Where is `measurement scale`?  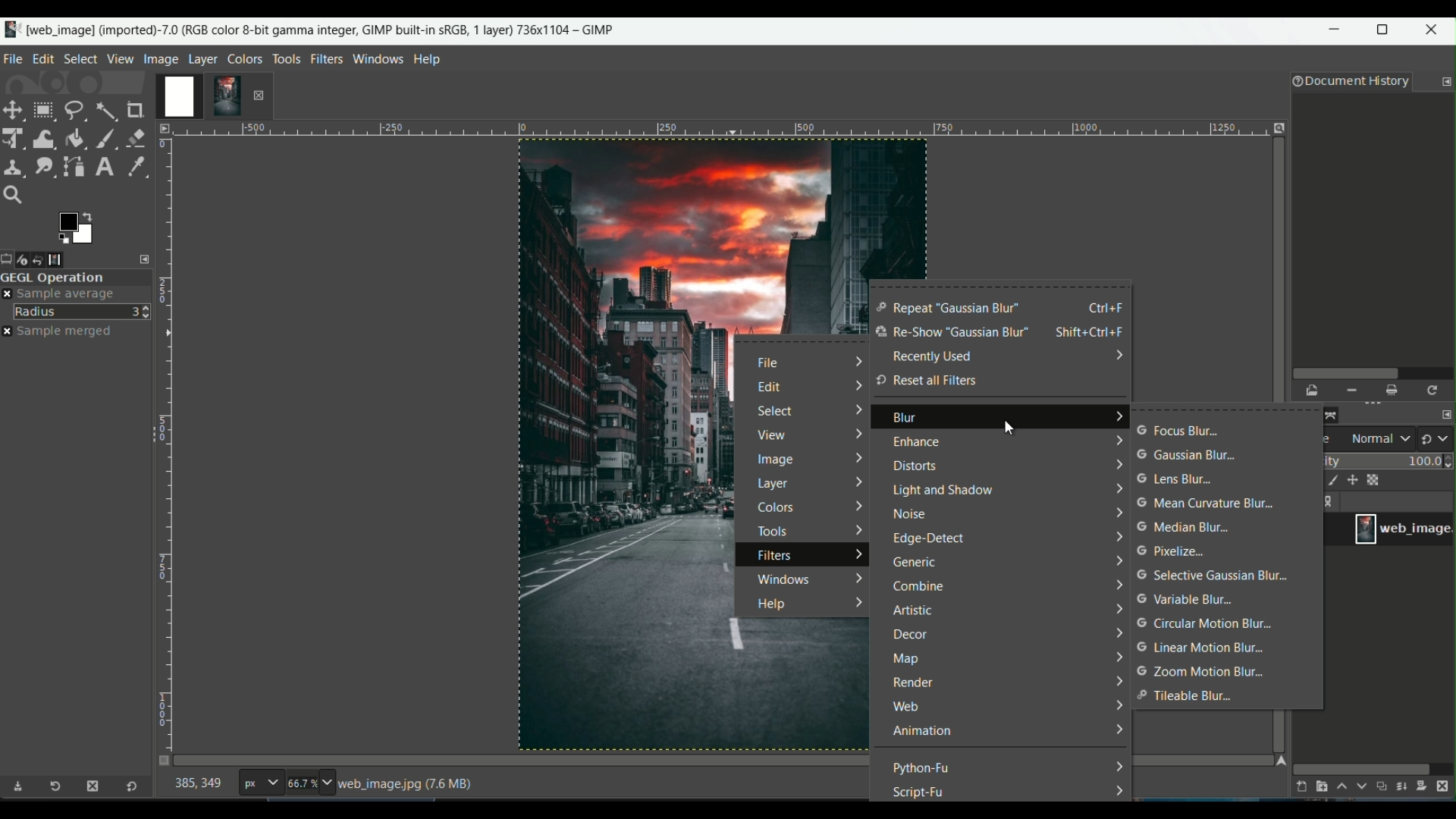
measurement scale is located at coordinates (260, 784).